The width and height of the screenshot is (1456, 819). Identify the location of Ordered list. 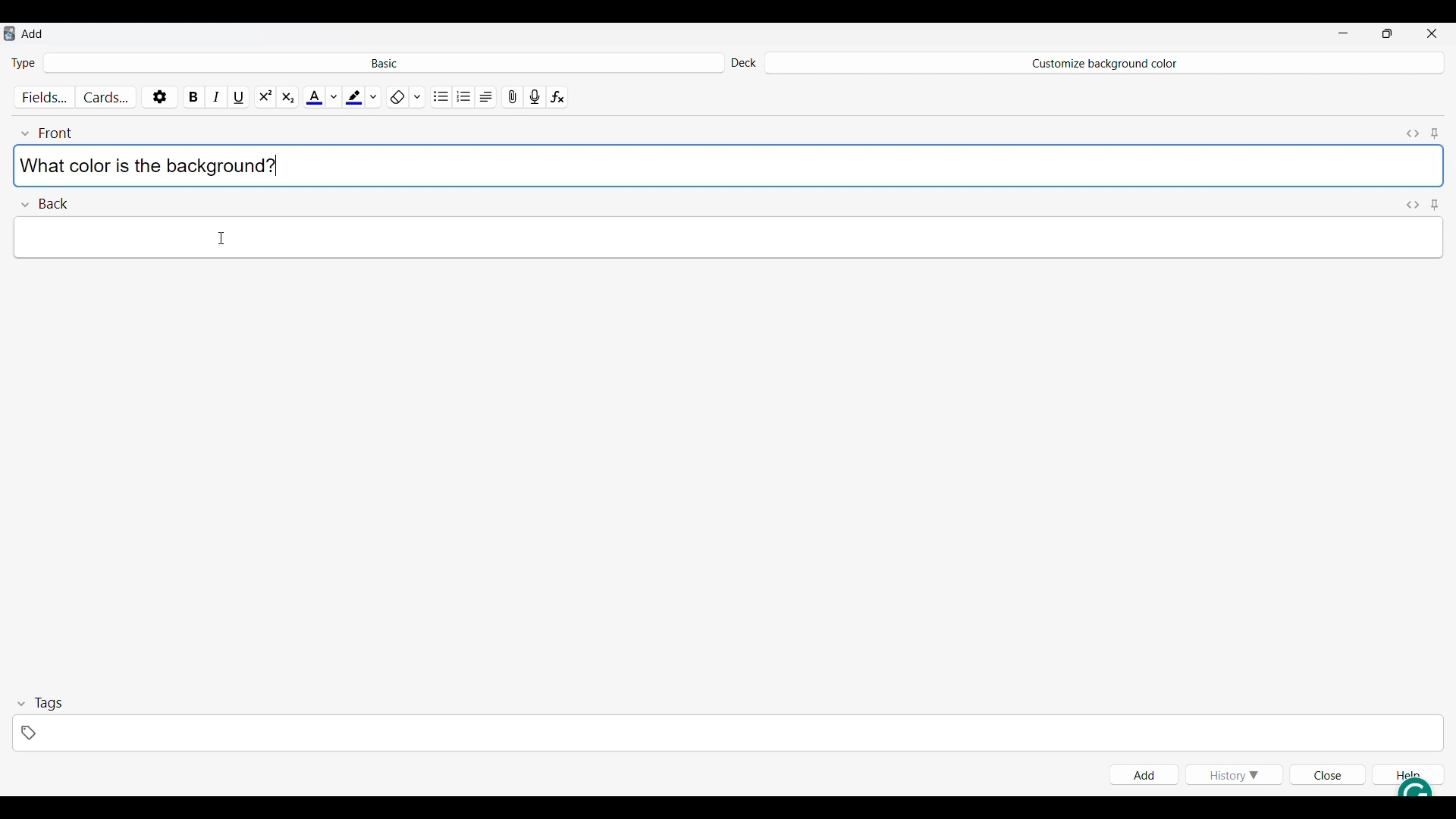
(464, 95).